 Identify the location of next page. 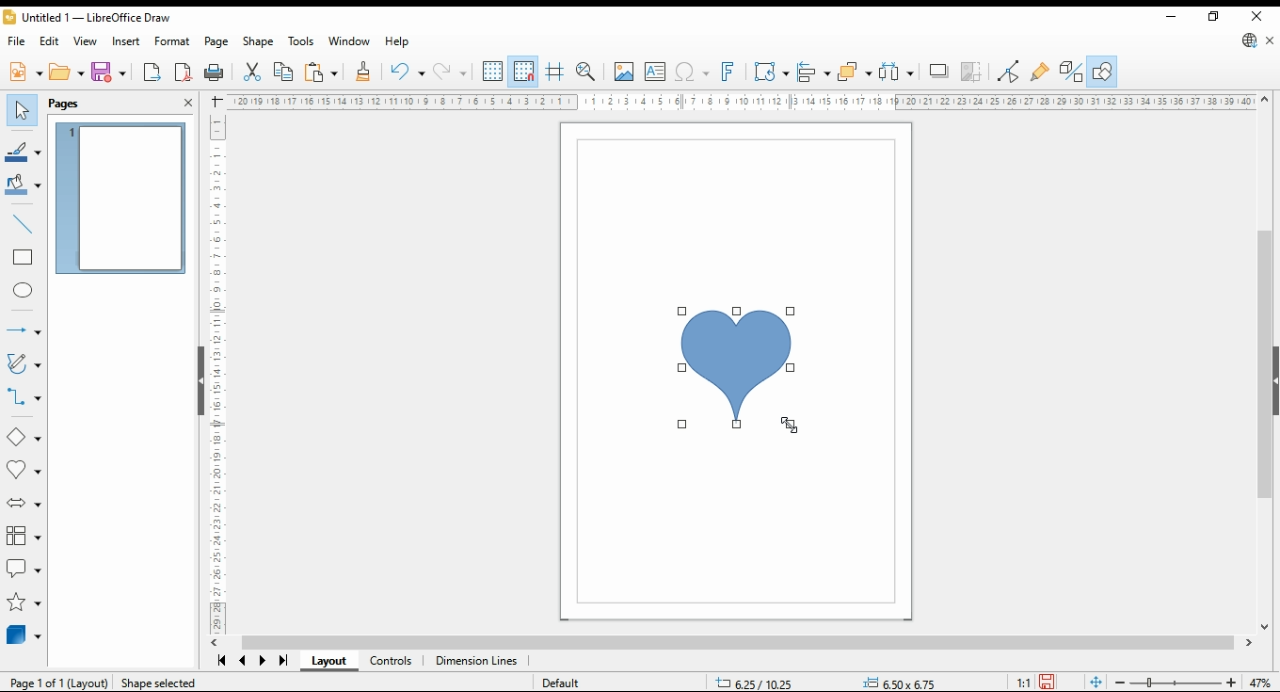
(264, 663).